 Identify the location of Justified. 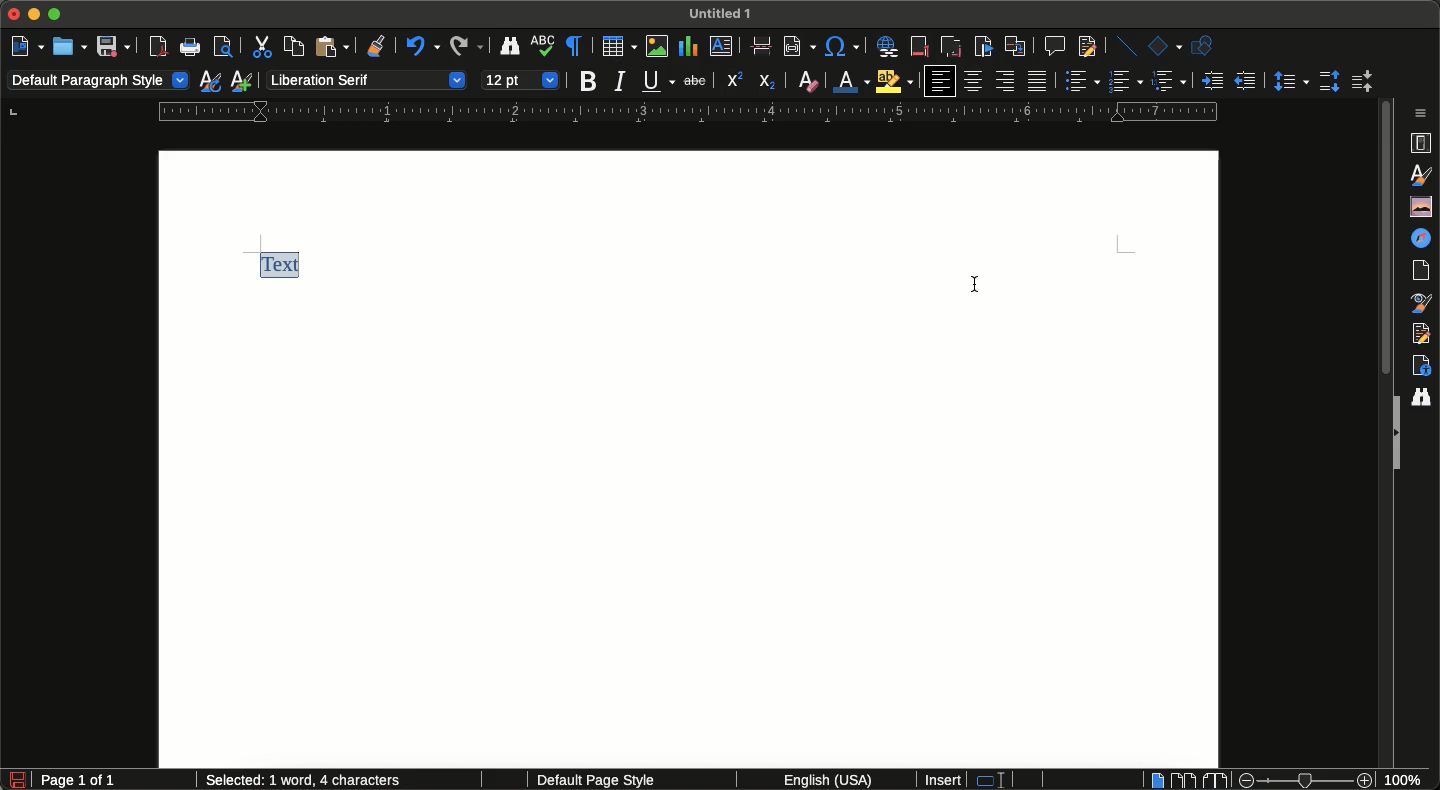
(1039, 81).